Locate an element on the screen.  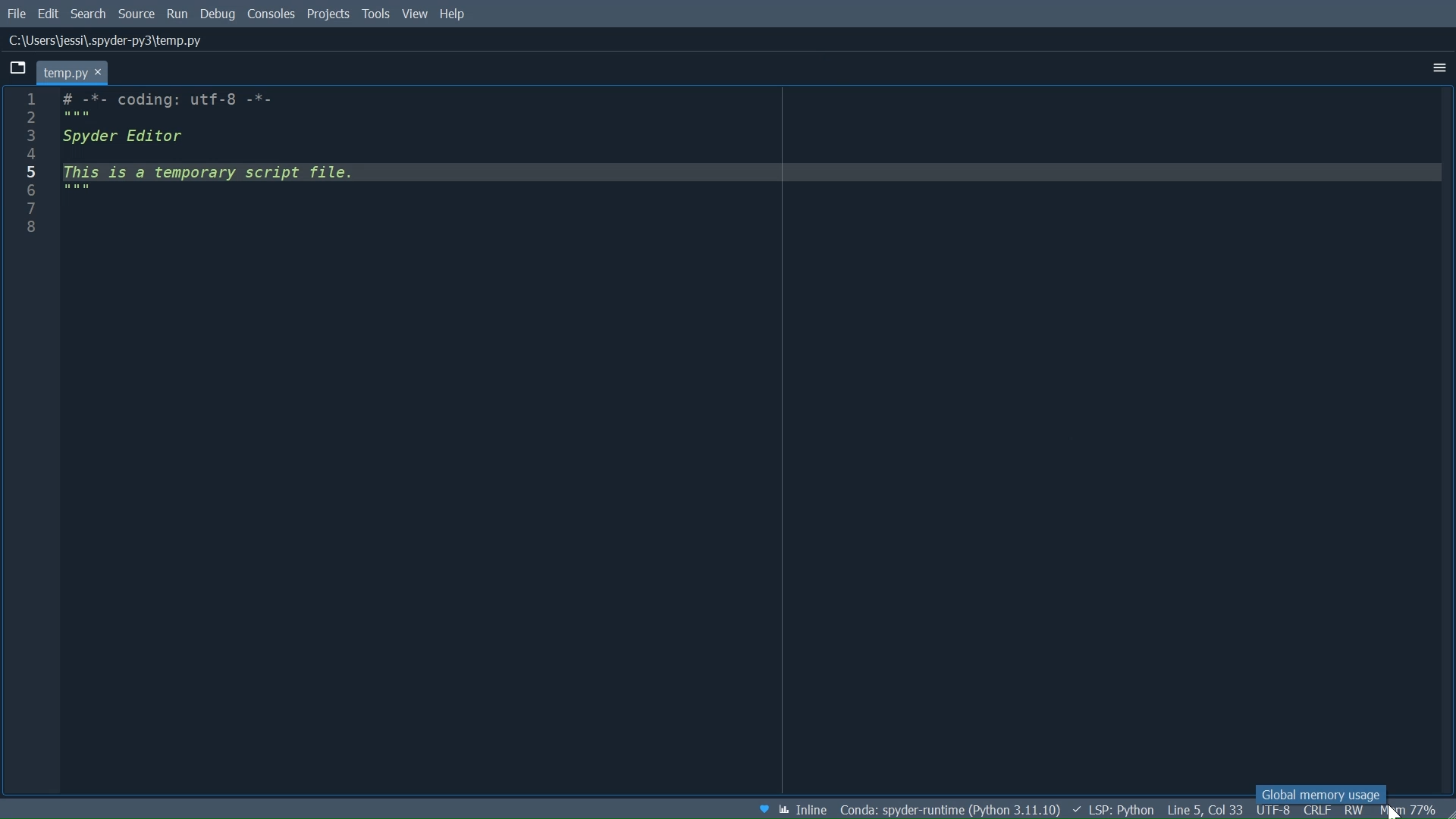
Browse Tabs is located at coordinates (17, 69).